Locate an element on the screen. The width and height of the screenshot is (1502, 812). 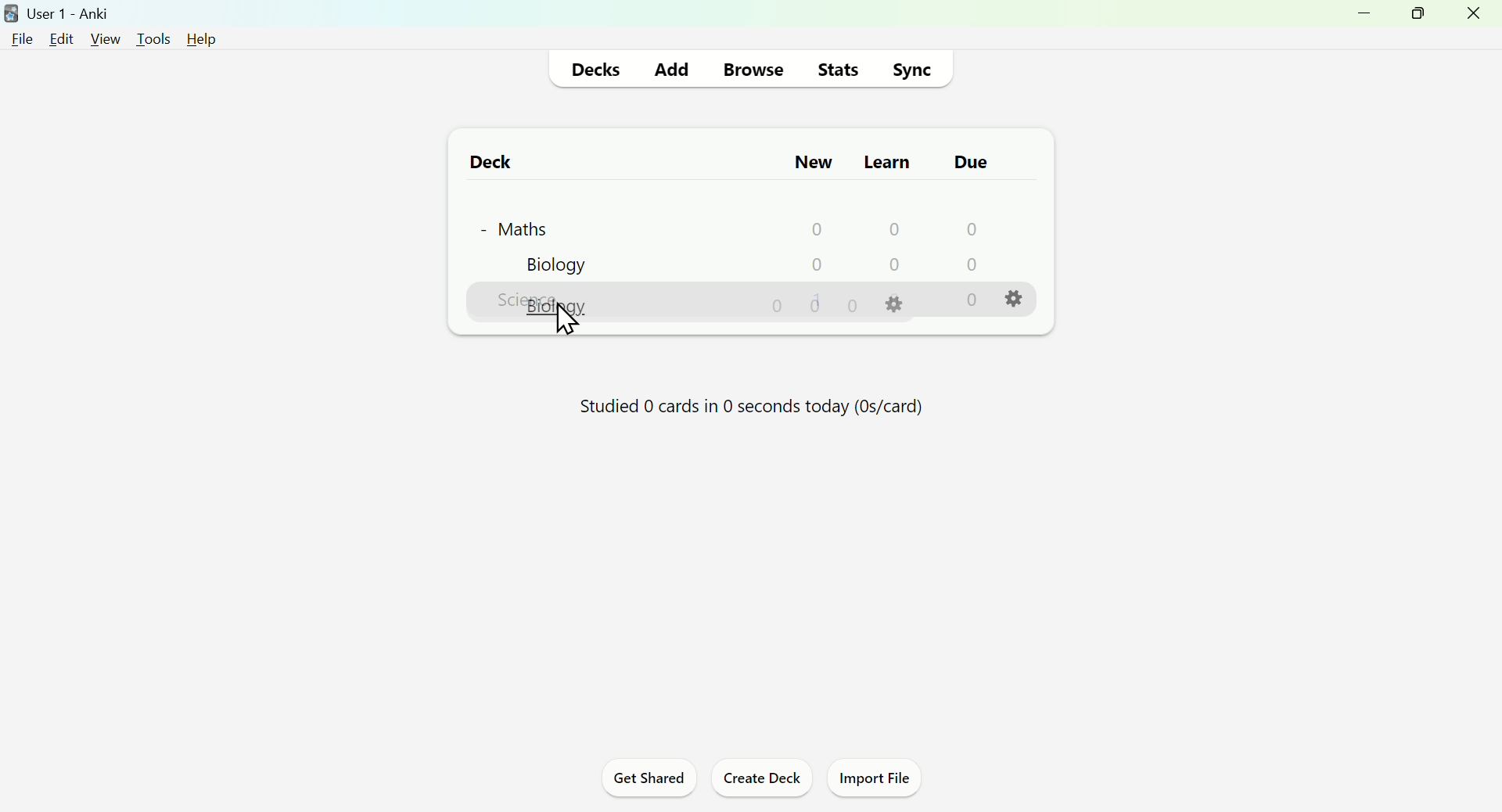
0 is located at coordinates (970, 228).